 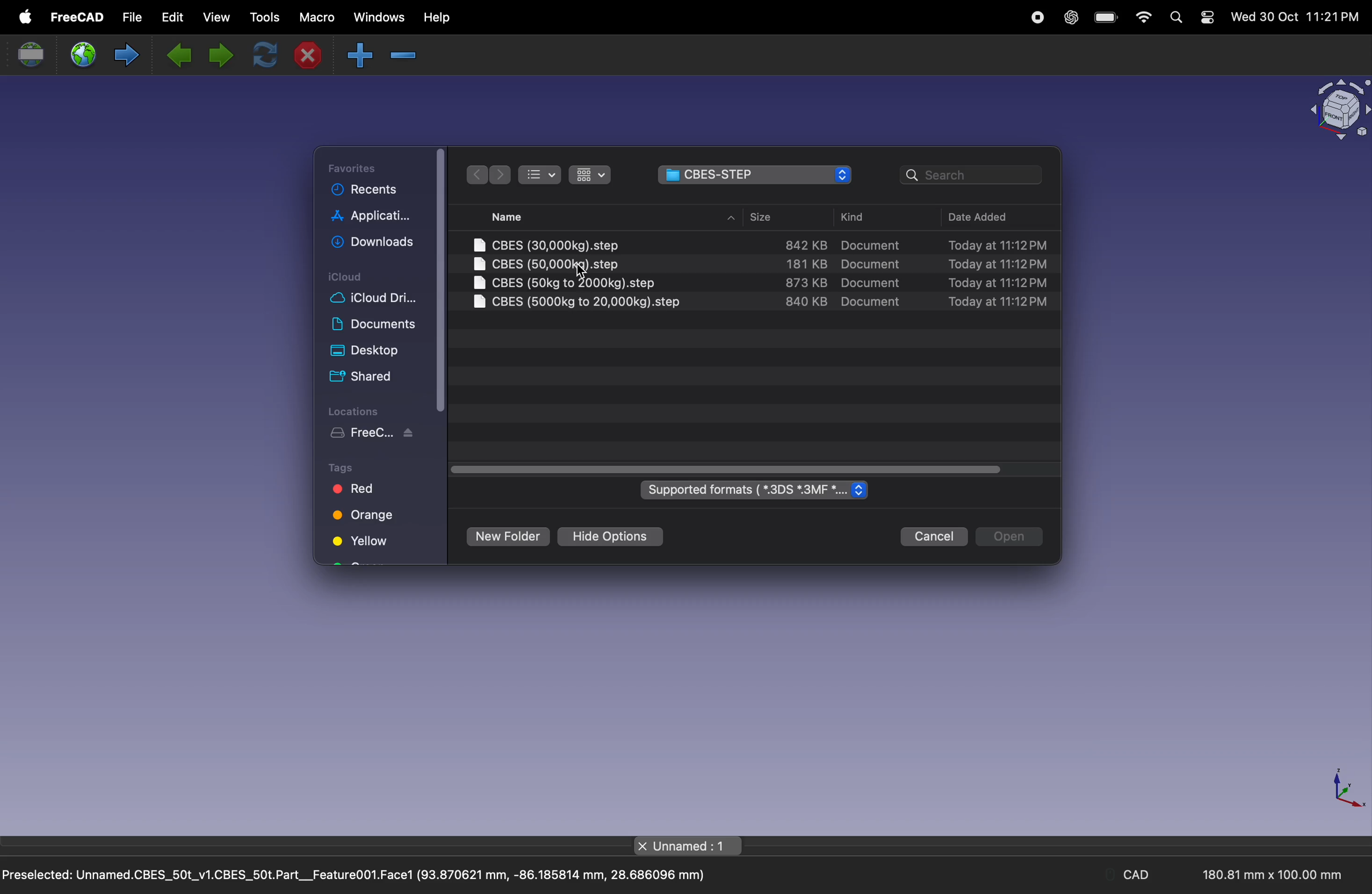 What do you see at coordinates (407, 55) in the screenshot?
I see `zoom in` at bounding box center [407, 55].